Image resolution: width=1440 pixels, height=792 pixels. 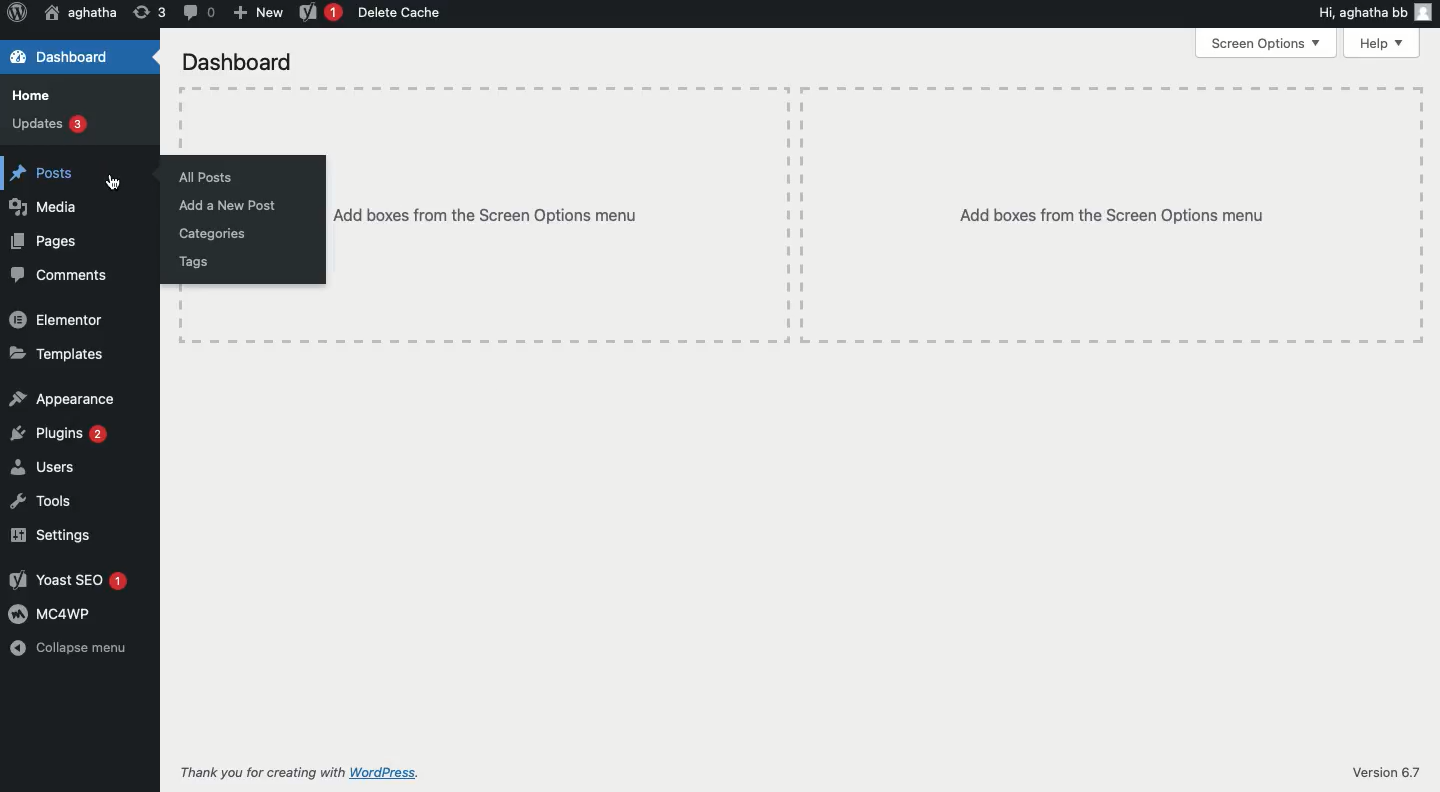 What do you see at coordinates (46, 466) in the screenshot?
I see `Users` at bounding box center [46, 466].